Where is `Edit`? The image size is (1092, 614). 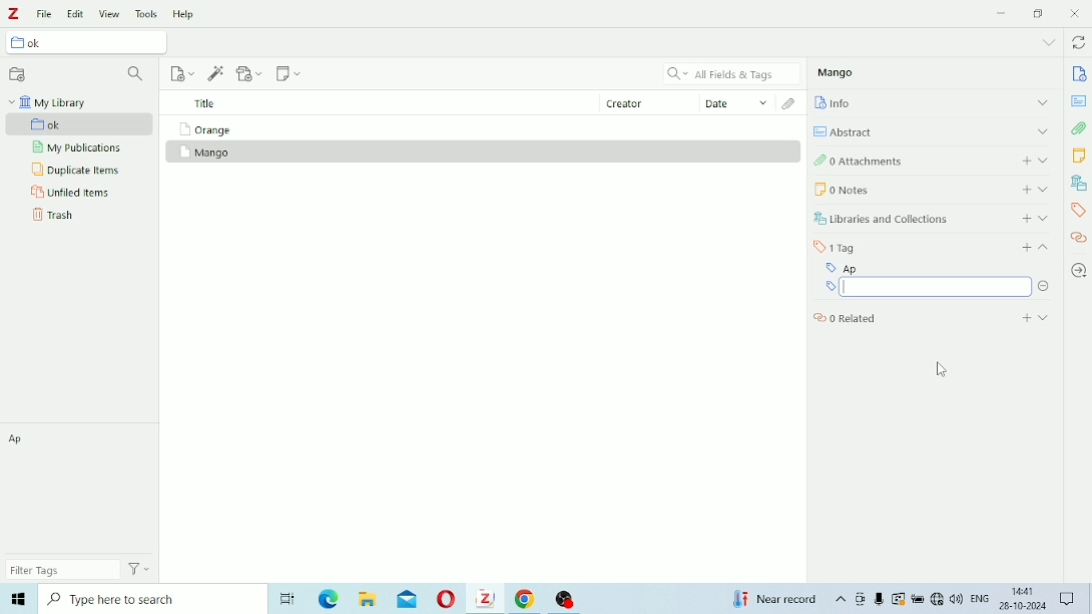 Edit is located at coordinates (76, 15).